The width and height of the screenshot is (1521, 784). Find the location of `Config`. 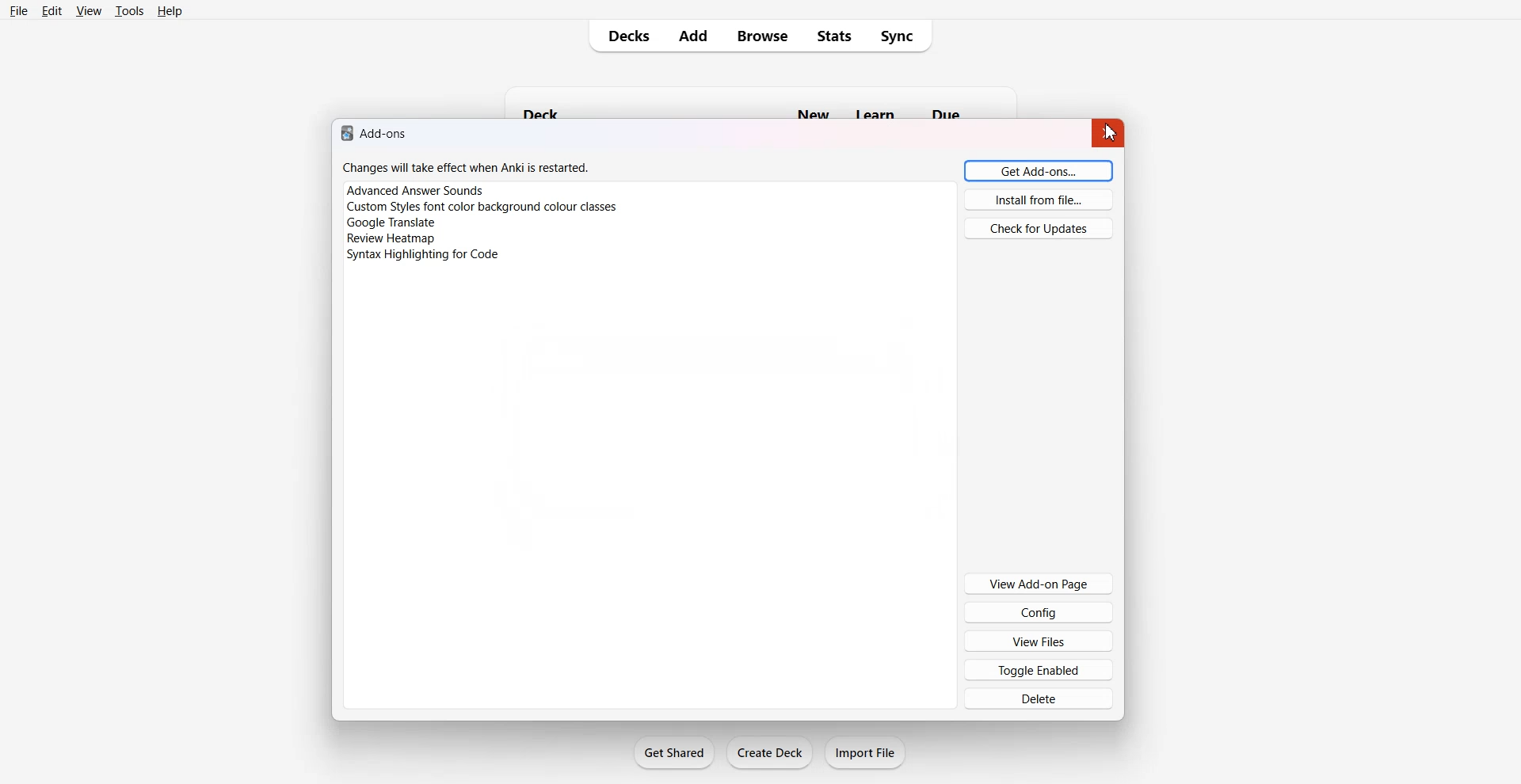

Config is located at coordinates (1039, 612).